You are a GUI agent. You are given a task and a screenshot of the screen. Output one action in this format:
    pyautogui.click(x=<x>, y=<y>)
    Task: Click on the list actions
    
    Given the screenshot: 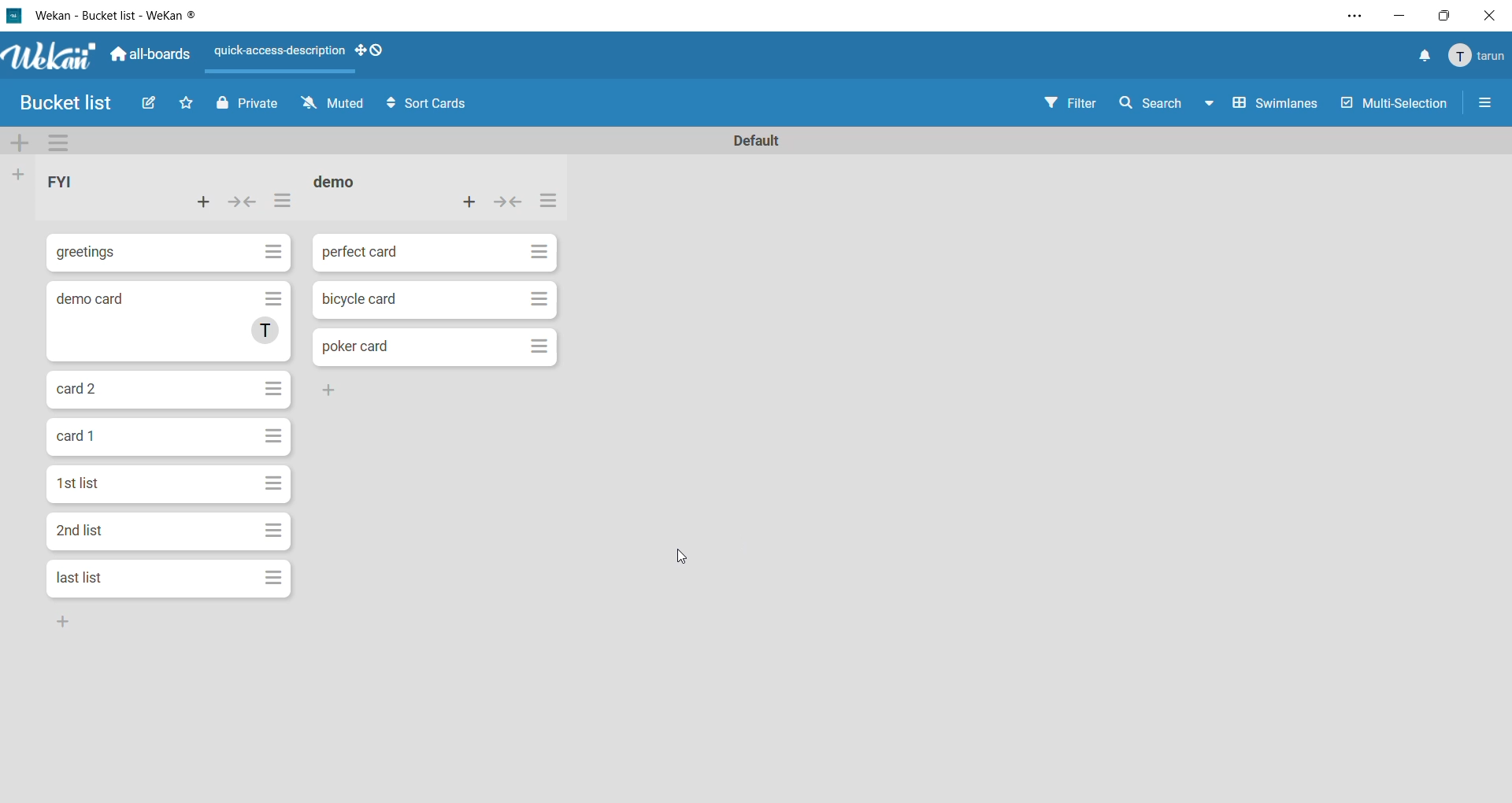 What is the action you would take?
    pyautogui.click(x=282, y=204)
    